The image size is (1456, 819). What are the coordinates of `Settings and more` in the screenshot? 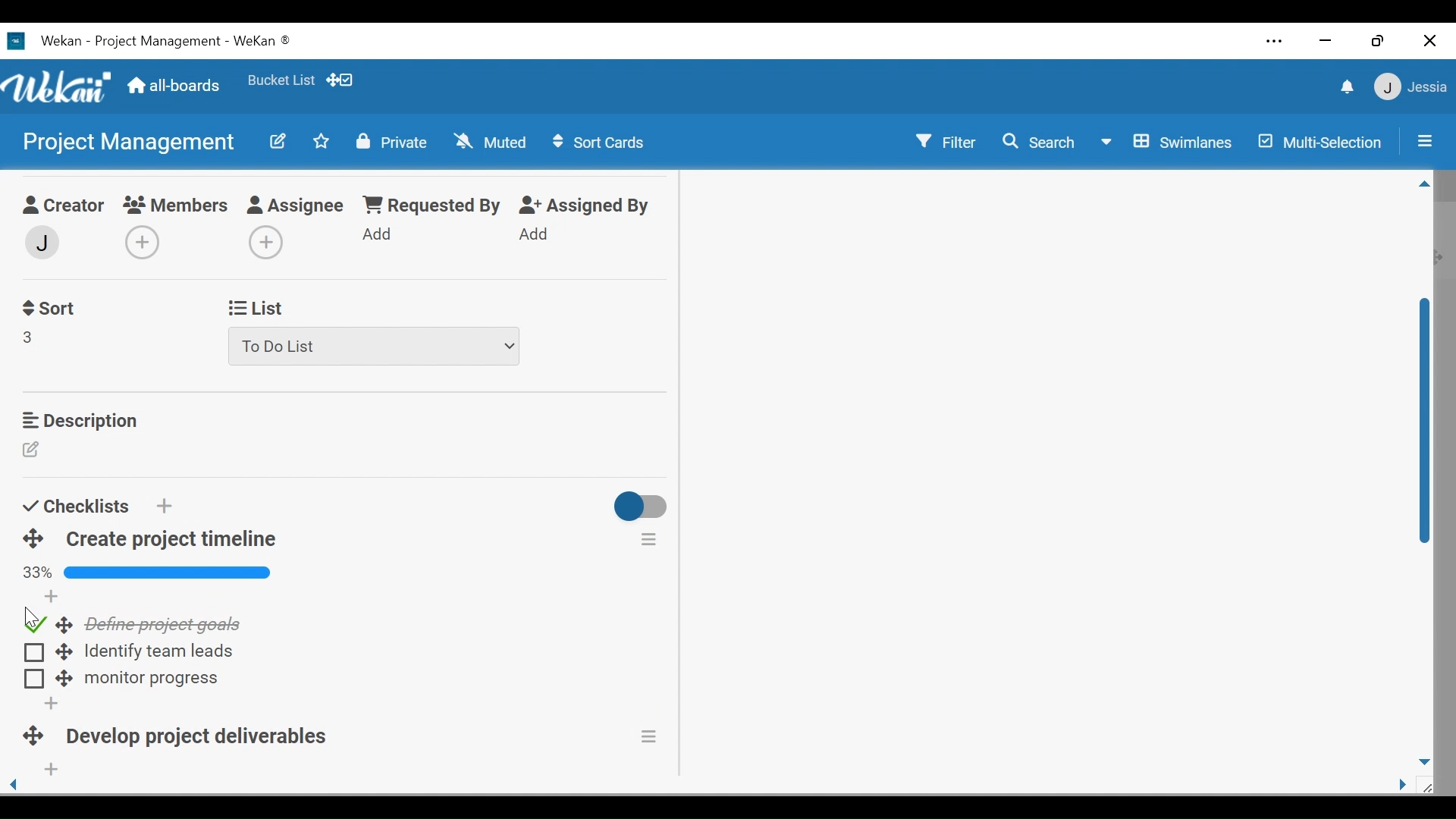 It's located at (1276, 41).